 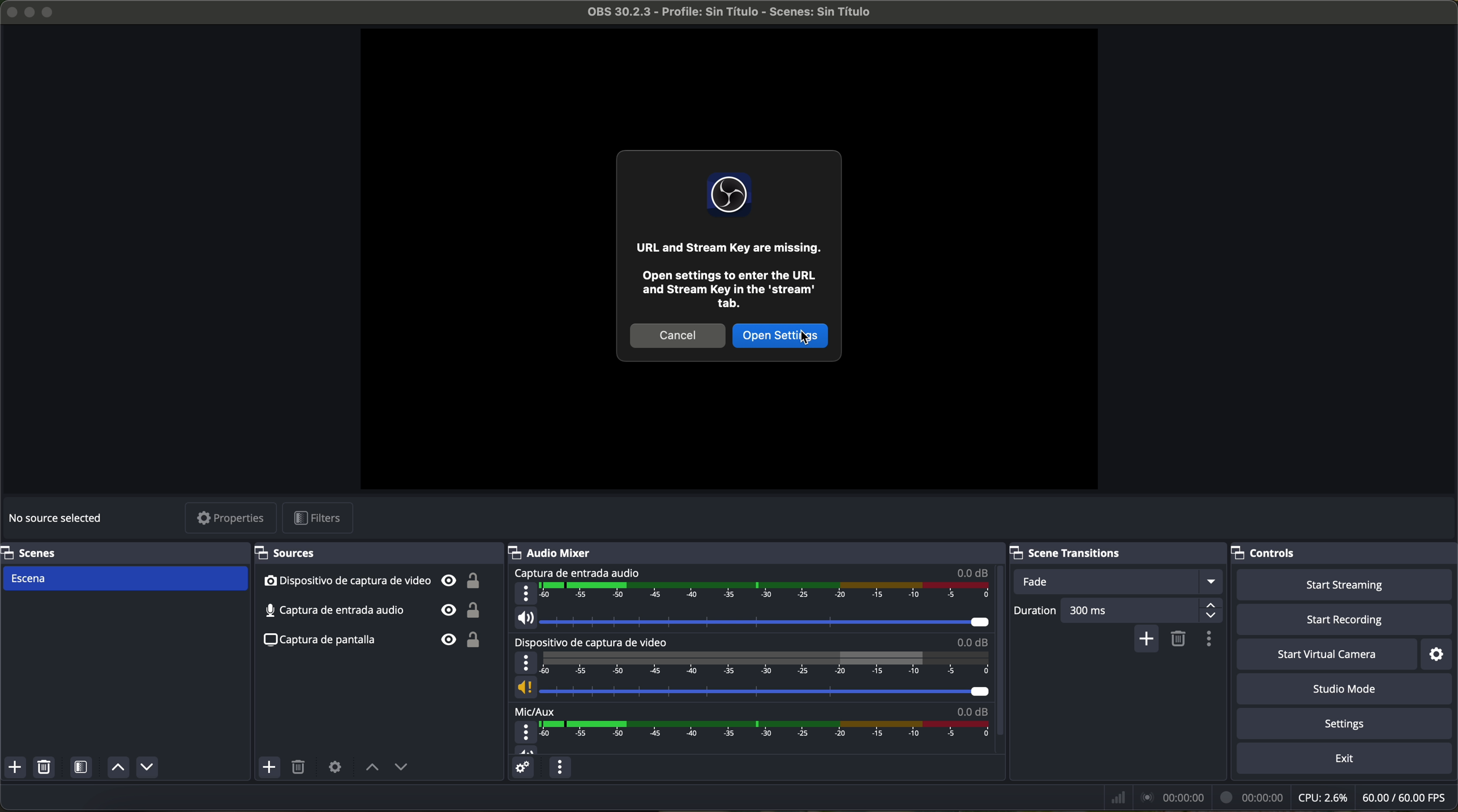 I want to click on add scene, so click(x=15, y=769).